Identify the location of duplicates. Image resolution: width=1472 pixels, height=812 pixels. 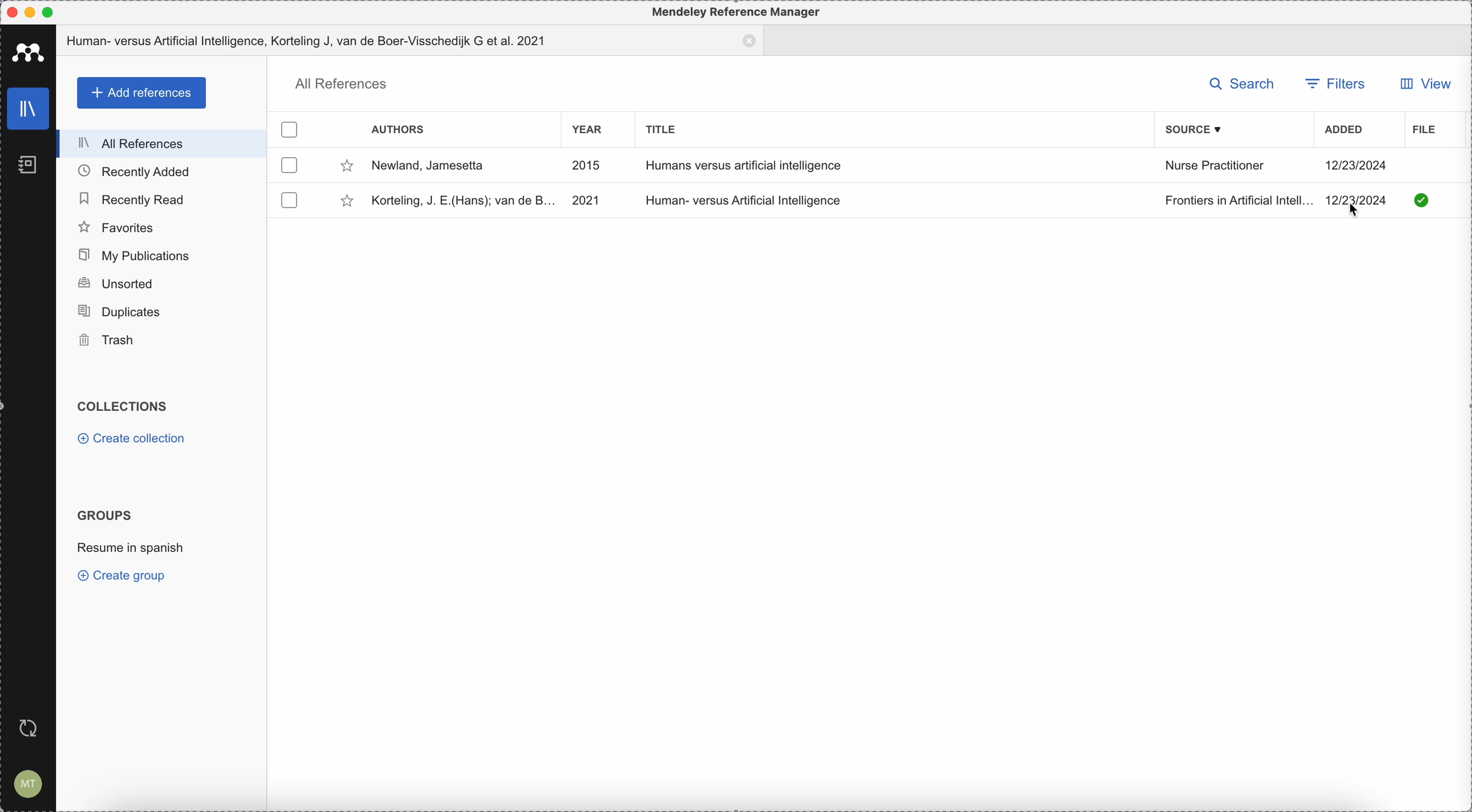
(160, 313).